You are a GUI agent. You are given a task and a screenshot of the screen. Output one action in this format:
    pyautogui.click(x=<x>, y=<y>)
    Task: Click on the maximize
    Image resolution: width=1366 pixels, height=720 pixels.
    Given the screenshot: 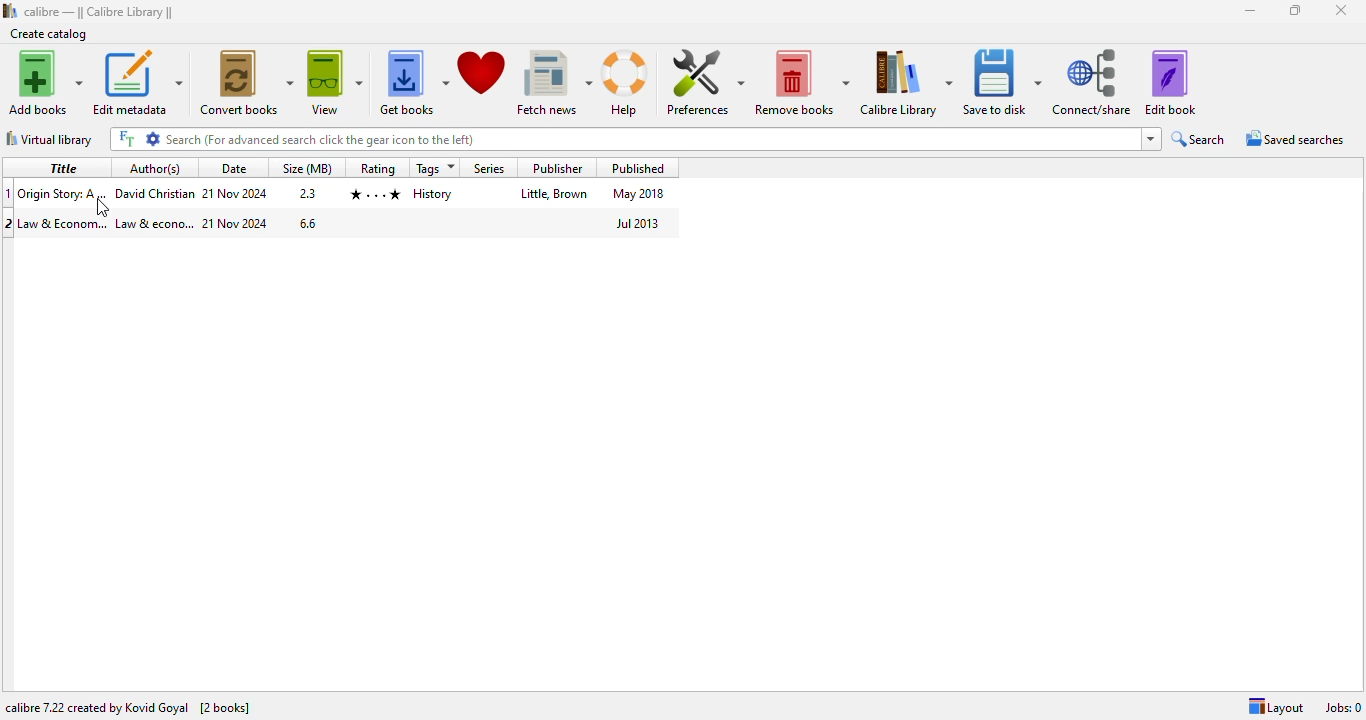 What is the action you would take?
    pyautogui.click(x=1295, y=11)
    